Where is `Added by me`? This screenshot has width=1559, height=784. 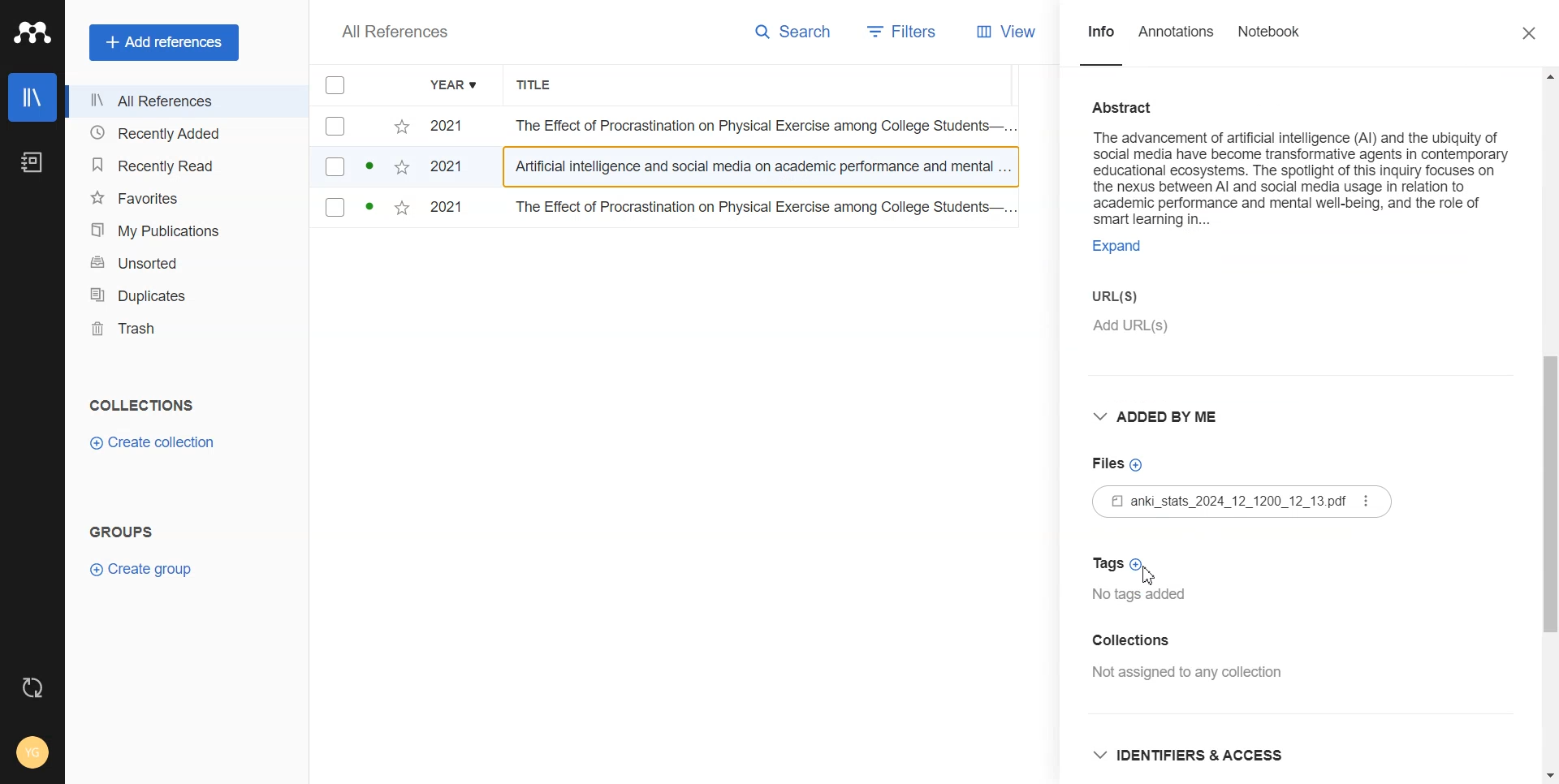
Added by me is located at coordinates (1159, 414).